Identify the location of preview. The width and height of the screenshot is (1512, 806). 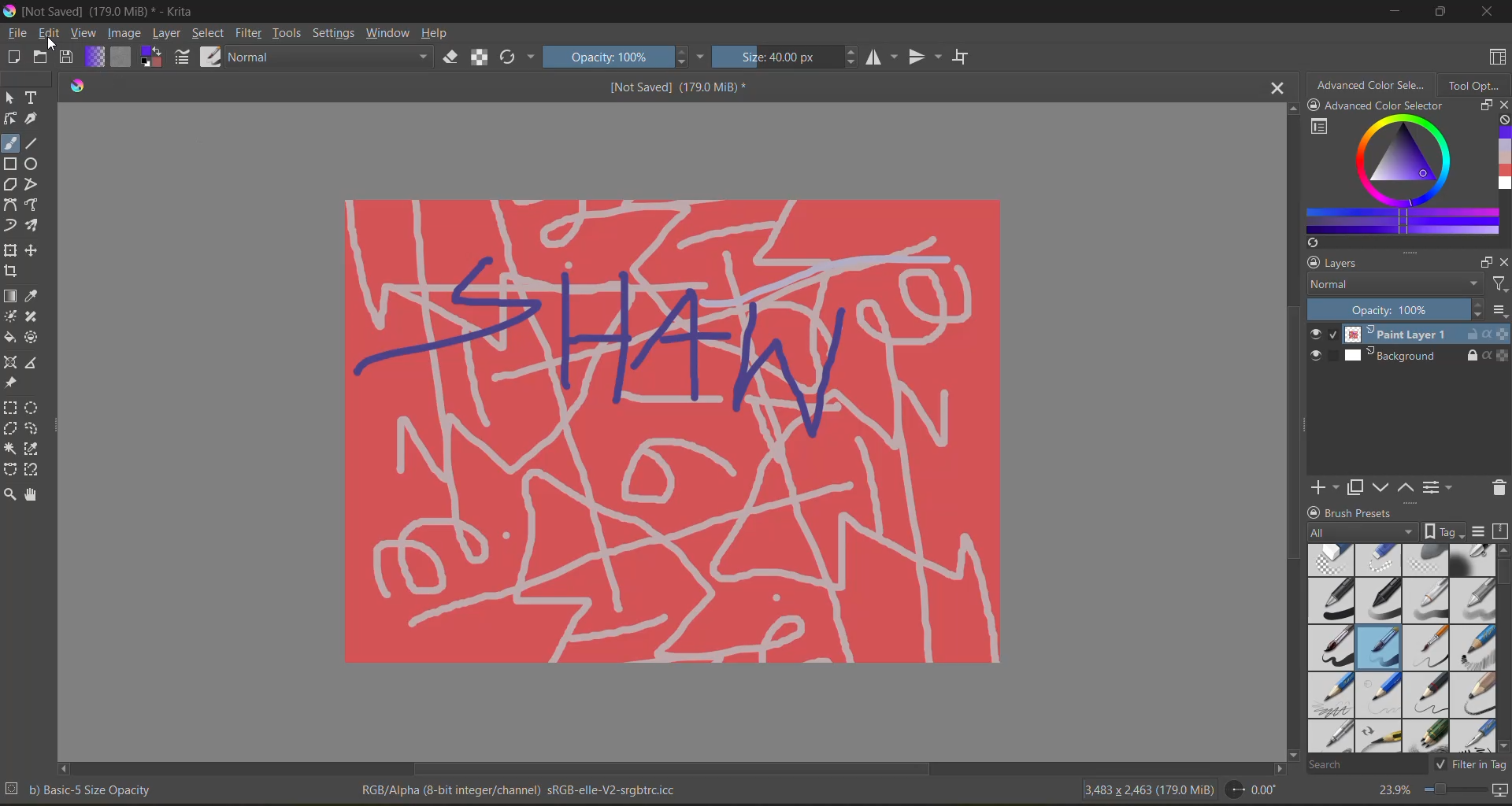
(1319, 347).